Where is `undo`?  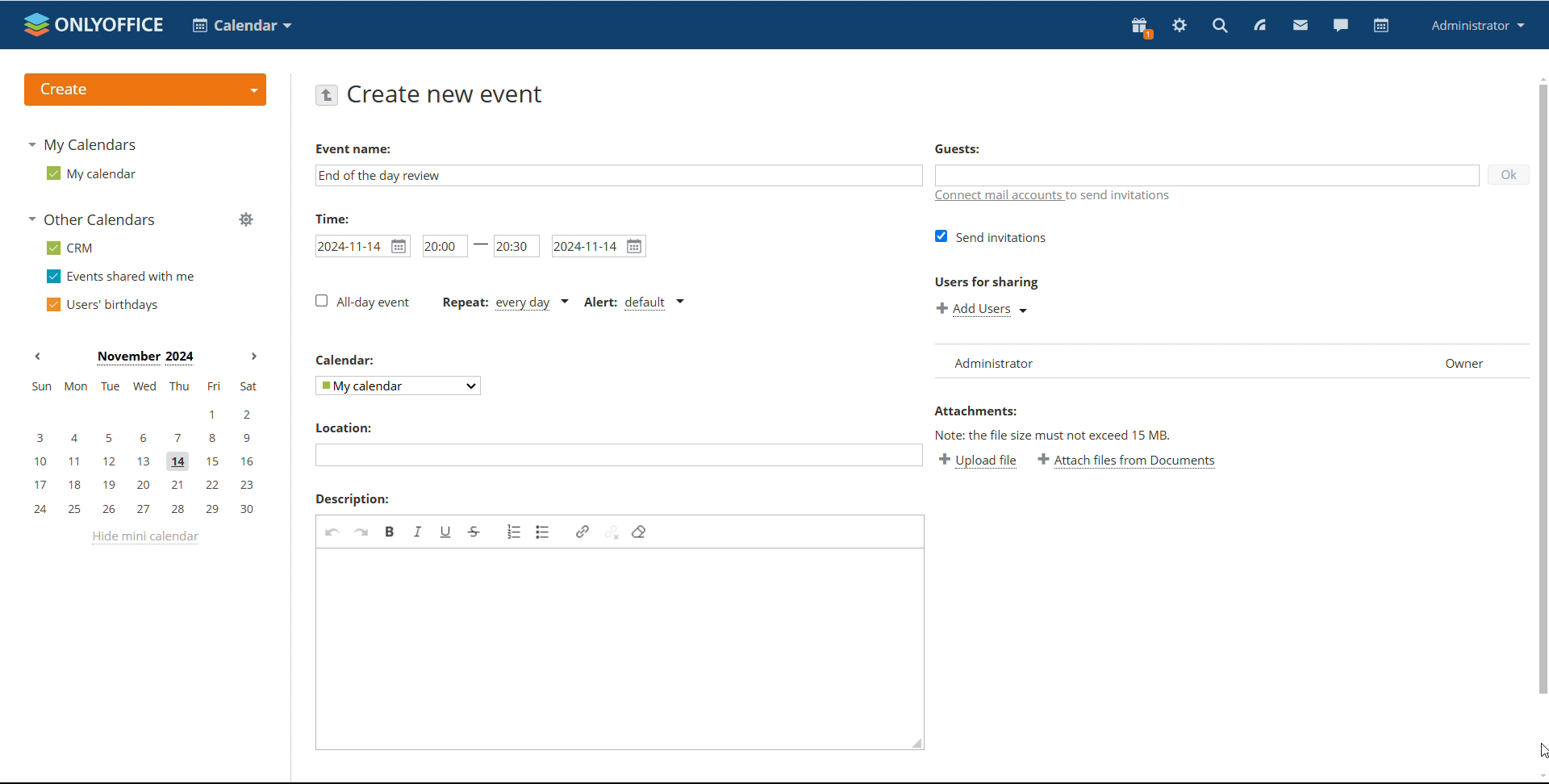
undo is located at coordinates (332, 532).